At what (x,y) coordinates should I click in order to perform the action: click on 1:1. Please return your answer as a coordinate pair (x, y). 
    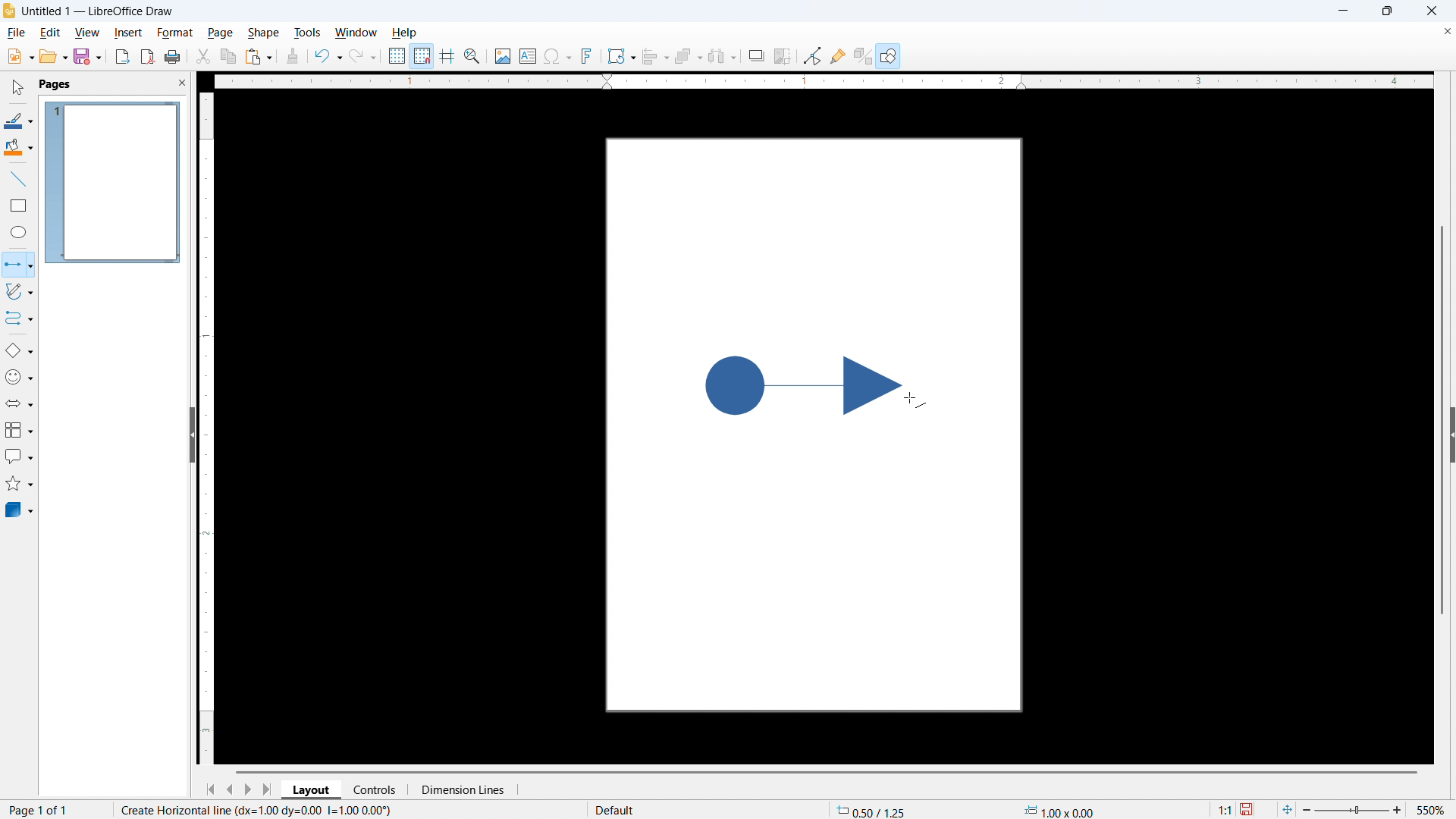
    Looking at the image, I should click on (1224, 810).